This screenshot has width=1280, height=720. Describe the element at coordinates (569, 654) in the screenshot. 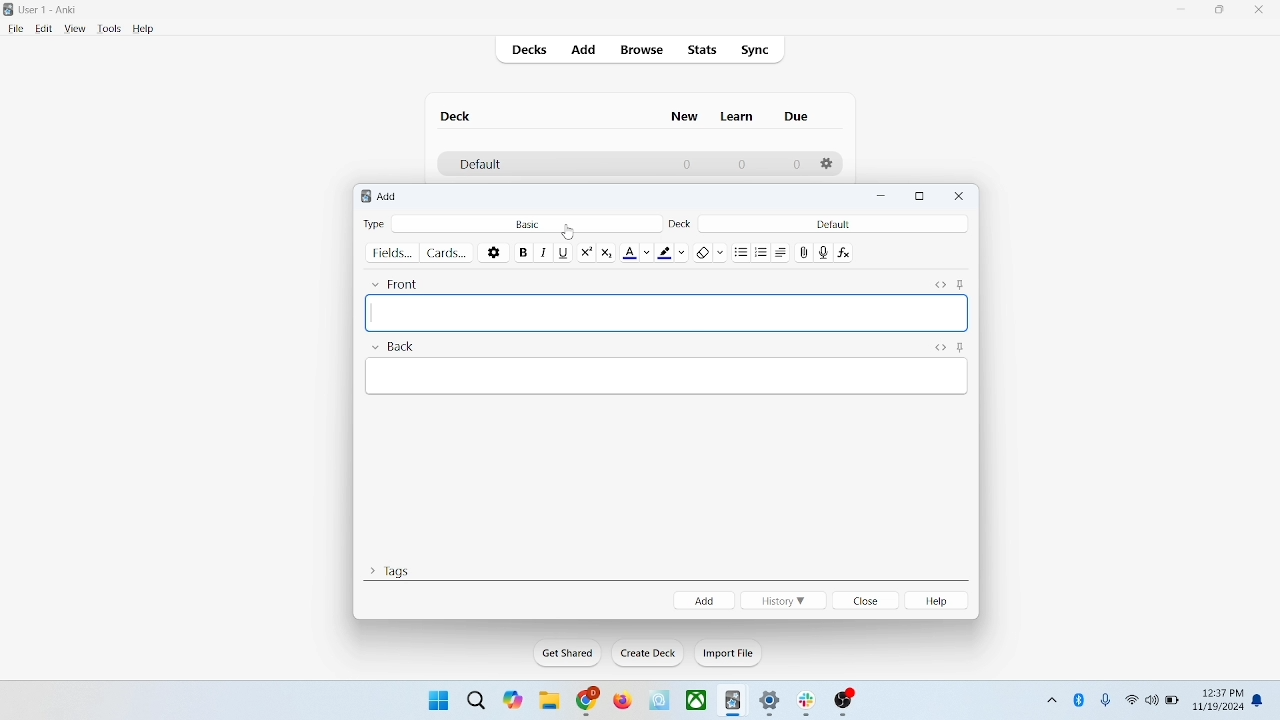

I see `get shared` at that location.